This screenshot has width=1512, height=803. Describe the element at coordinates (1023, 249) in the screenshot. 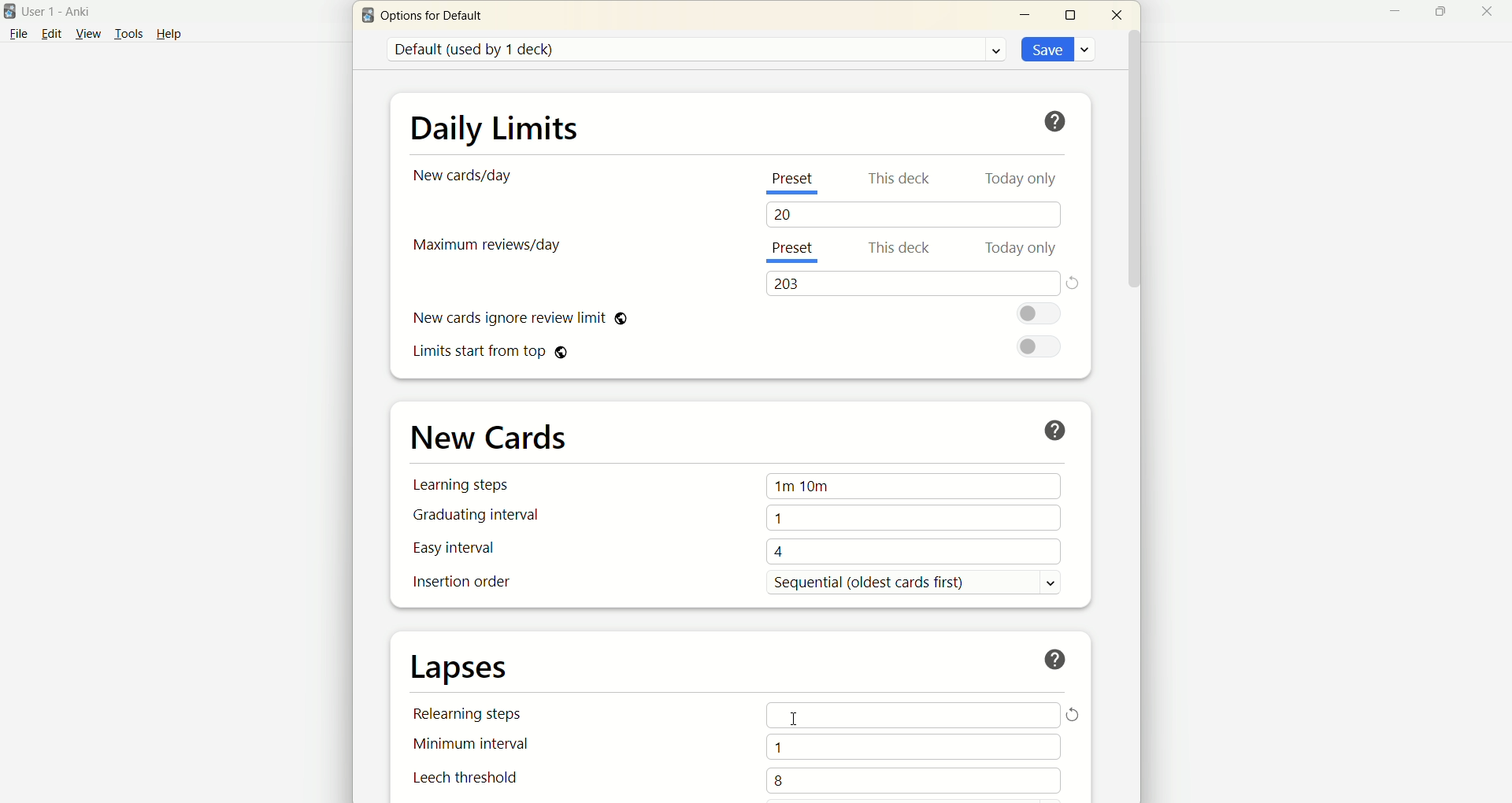

I see `today only` at that location.